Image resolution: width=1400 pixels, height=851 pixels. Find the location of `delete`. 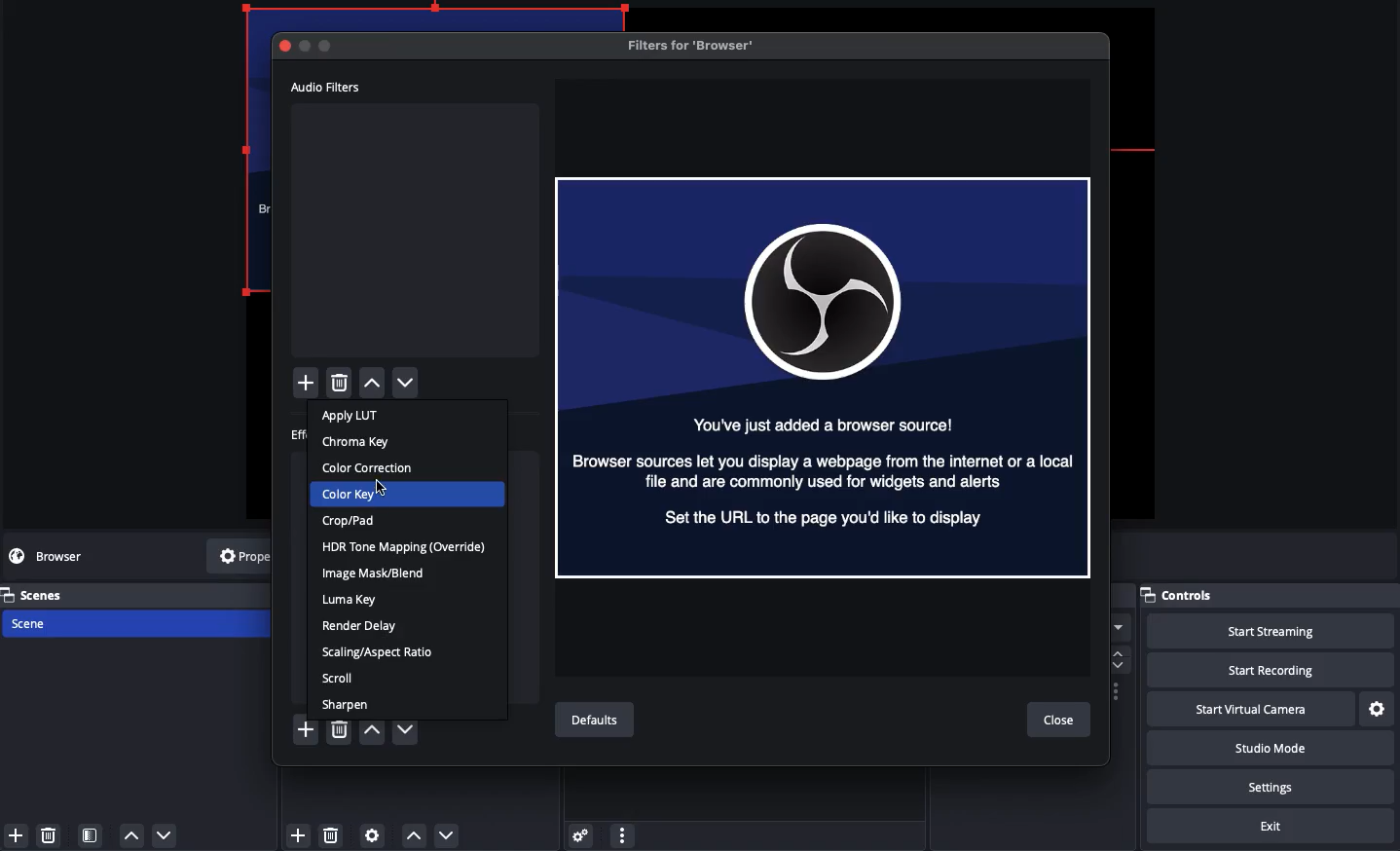

delete is located at coordinates (338, 725).